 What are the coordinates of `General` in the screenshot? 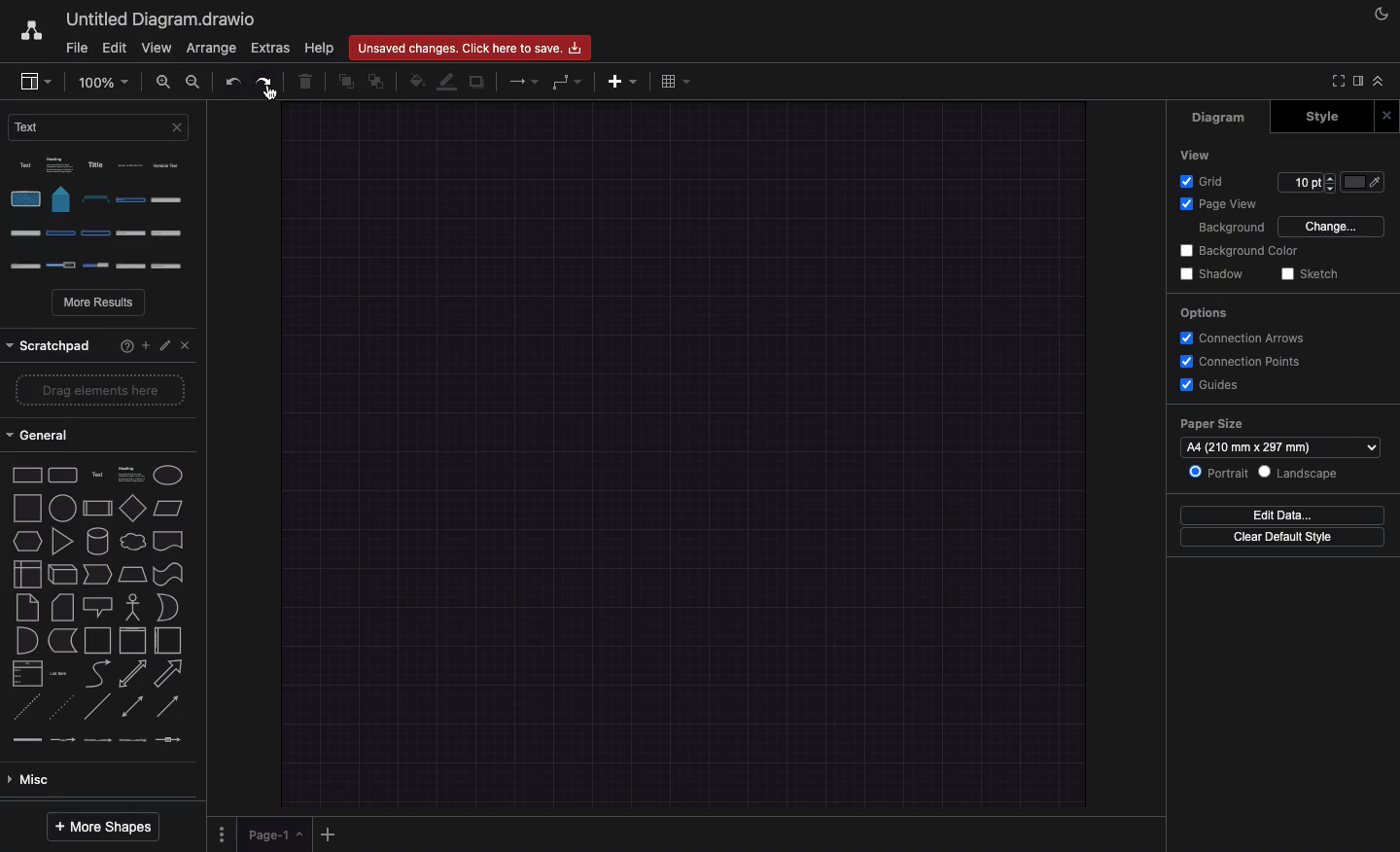 It's located at (46, 436).